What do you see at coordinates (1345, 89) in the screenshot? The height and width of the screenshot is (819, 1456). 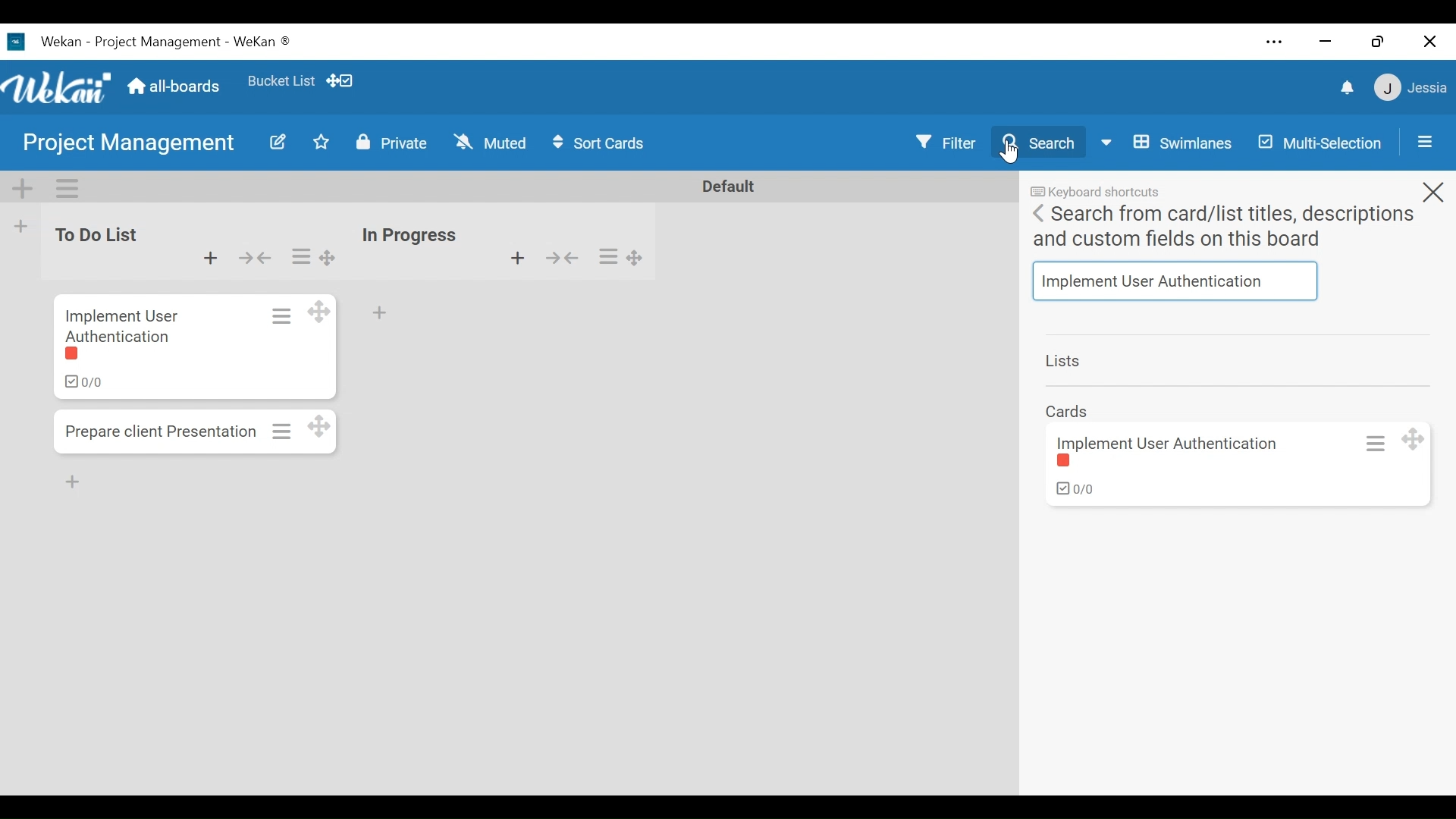 I see `notification` at bounding box center [1345, 89].